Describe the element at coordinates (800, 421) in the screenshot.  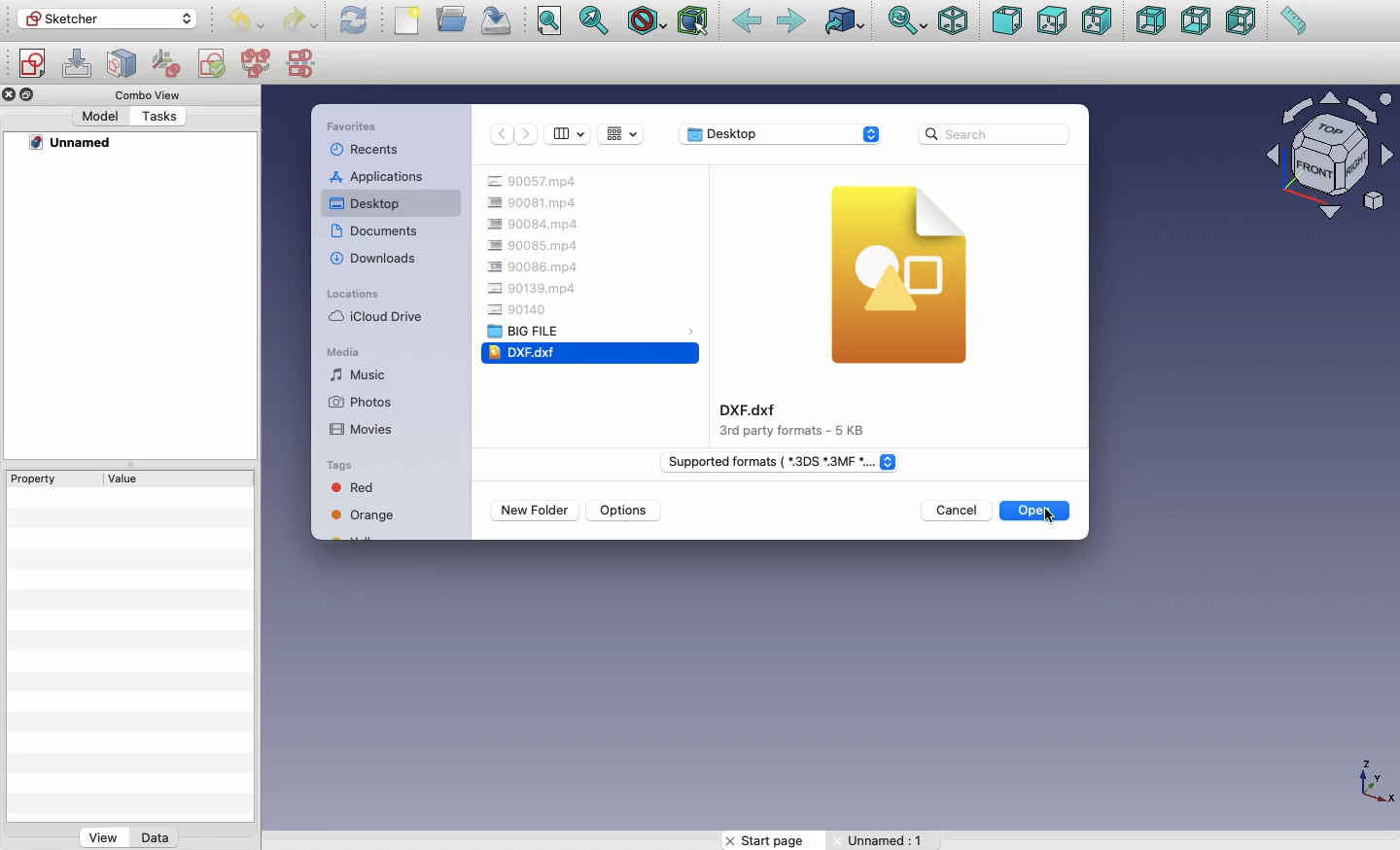
I see `DXF.dxf file details` at that location.